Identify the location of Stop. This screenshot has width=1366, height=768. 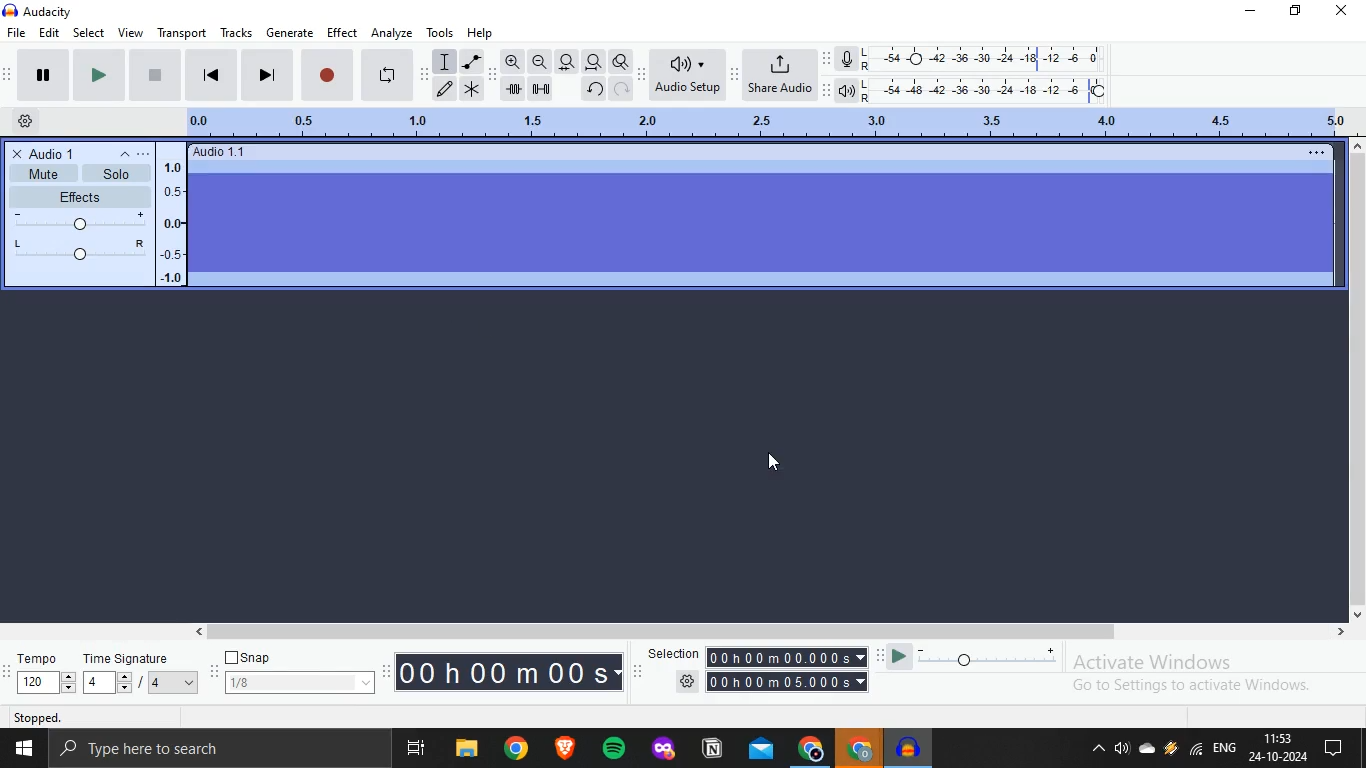
(154, 77).